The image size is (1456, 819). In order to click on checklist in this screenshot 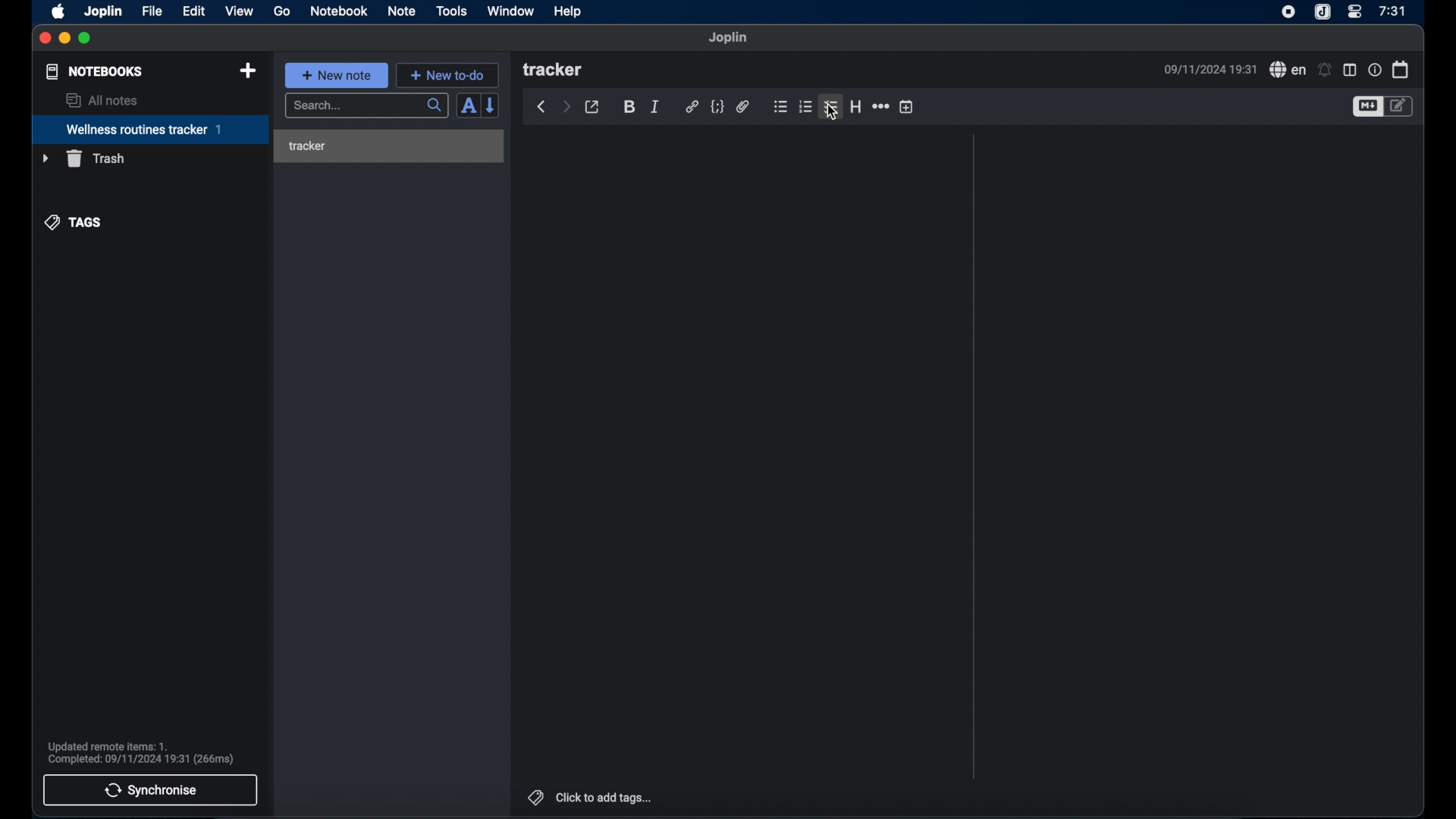, I will do `click(832, 106)`.